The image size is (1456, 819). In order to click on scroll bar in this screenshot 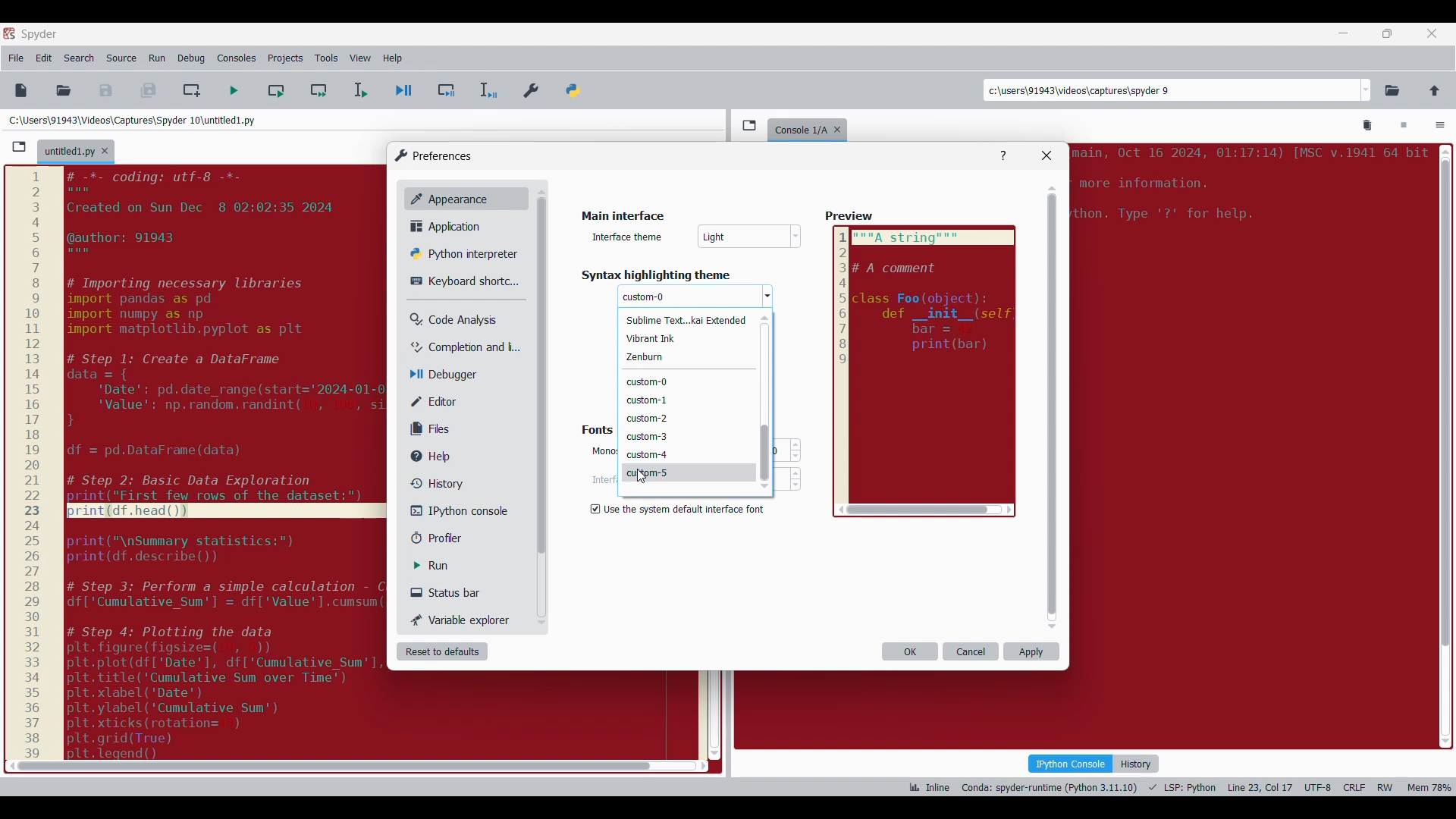, I will do `click(329, 765)`.